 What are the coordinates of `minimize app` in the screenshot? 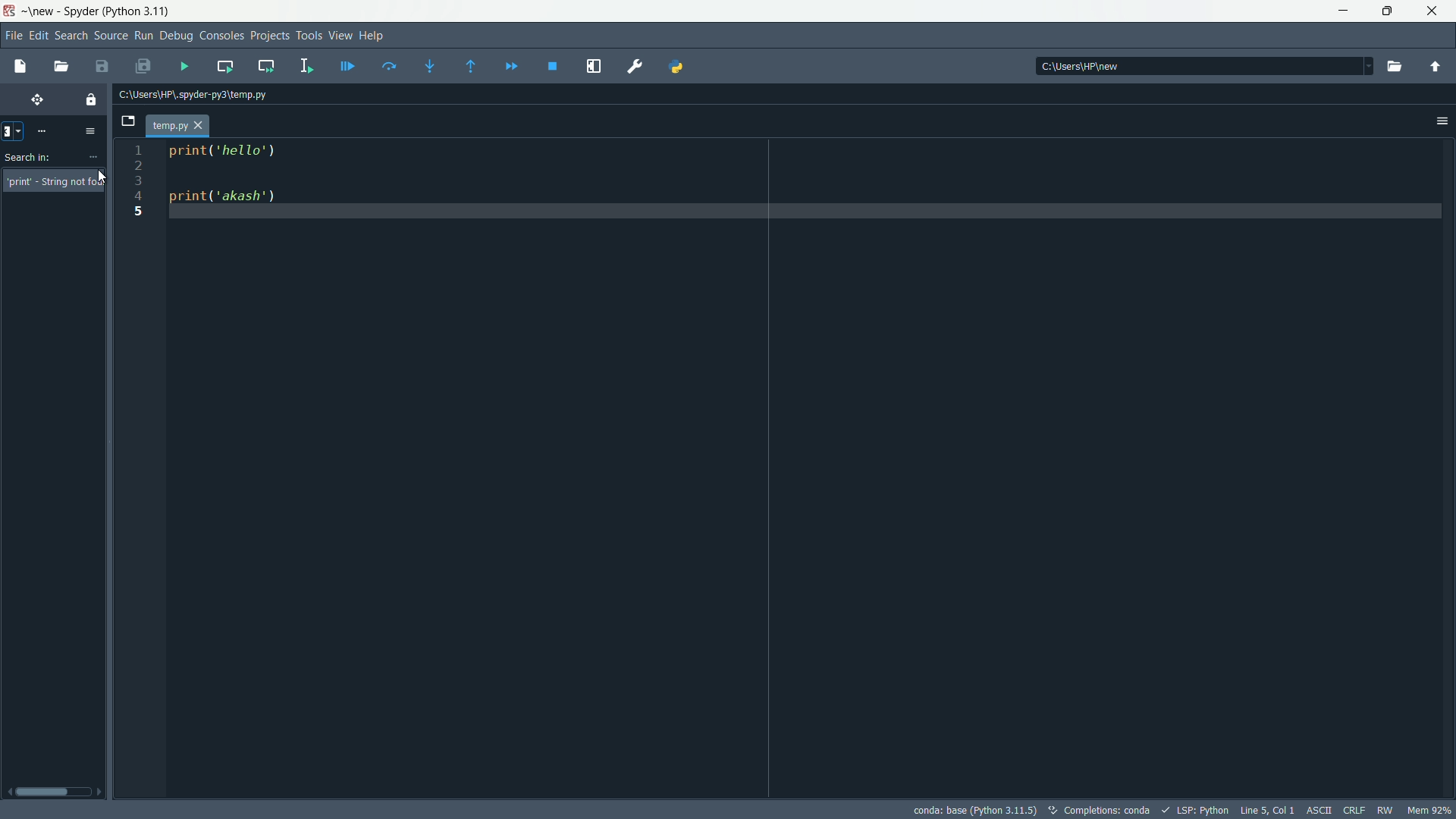 It's located at (1342, 11).